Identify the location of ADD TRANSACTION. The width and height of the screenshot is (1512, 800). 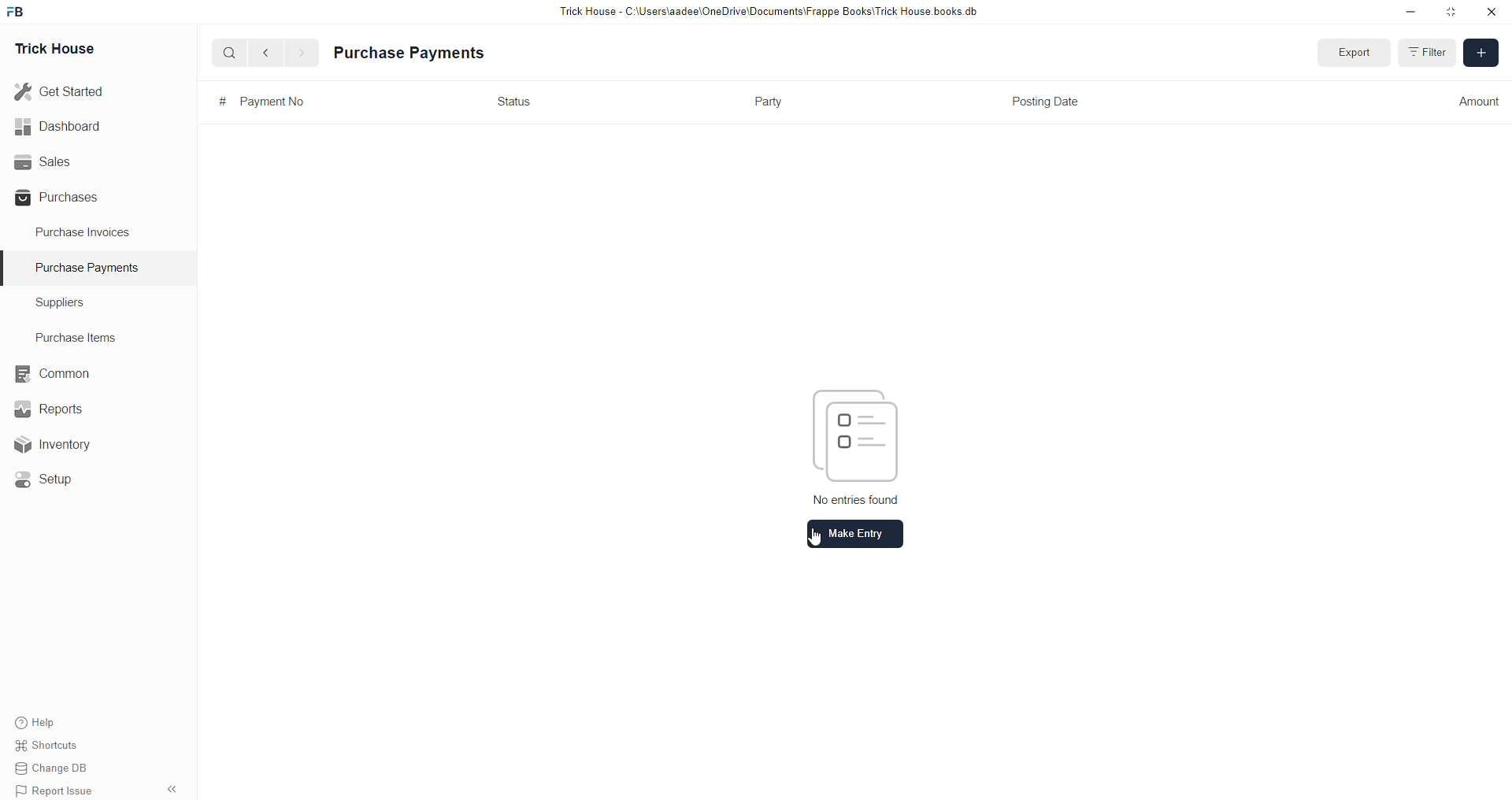
(1479, 51).